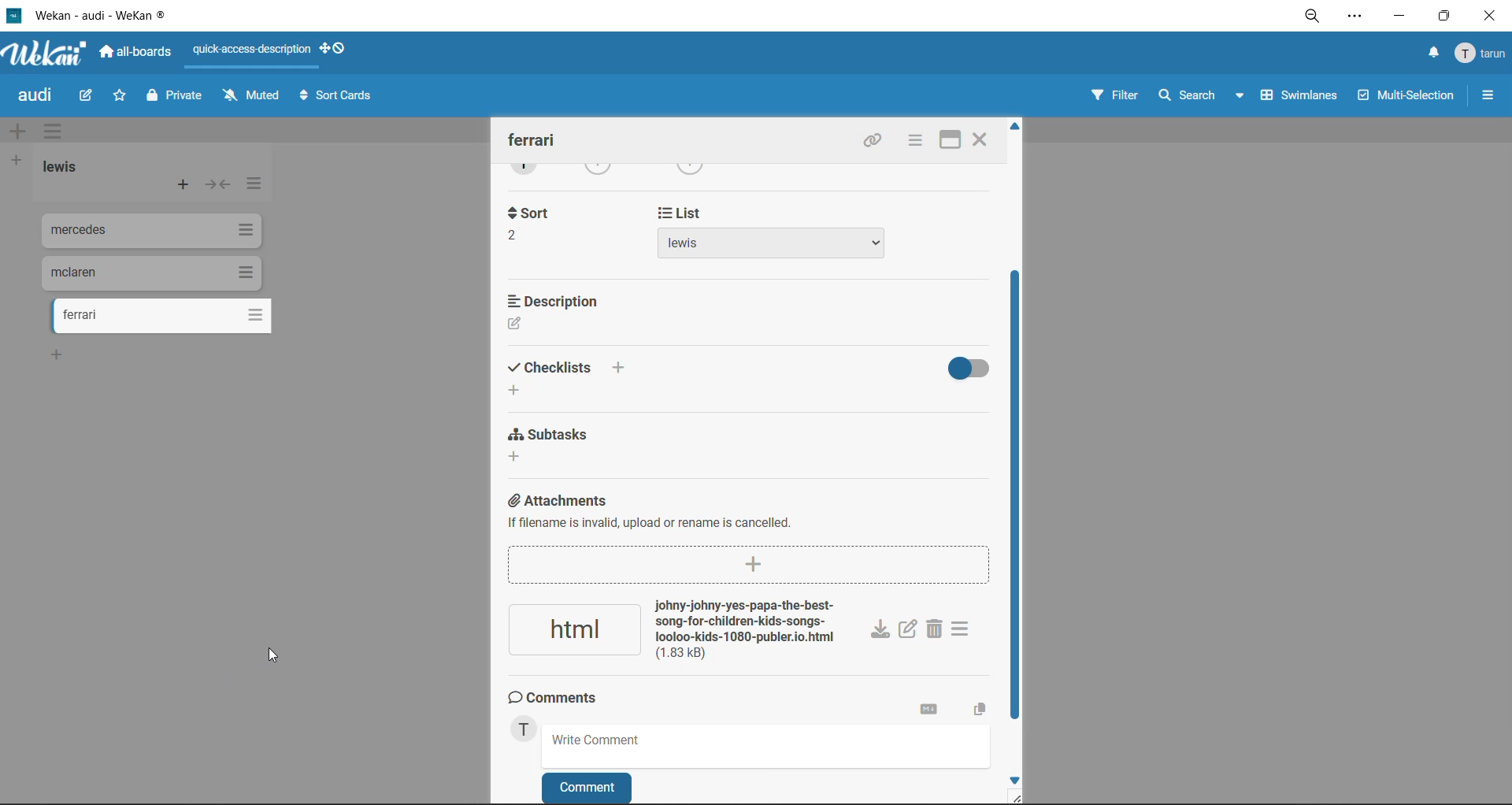 This screenshot has height=805, width=1512. I want to click on delete, so click(936, 629).